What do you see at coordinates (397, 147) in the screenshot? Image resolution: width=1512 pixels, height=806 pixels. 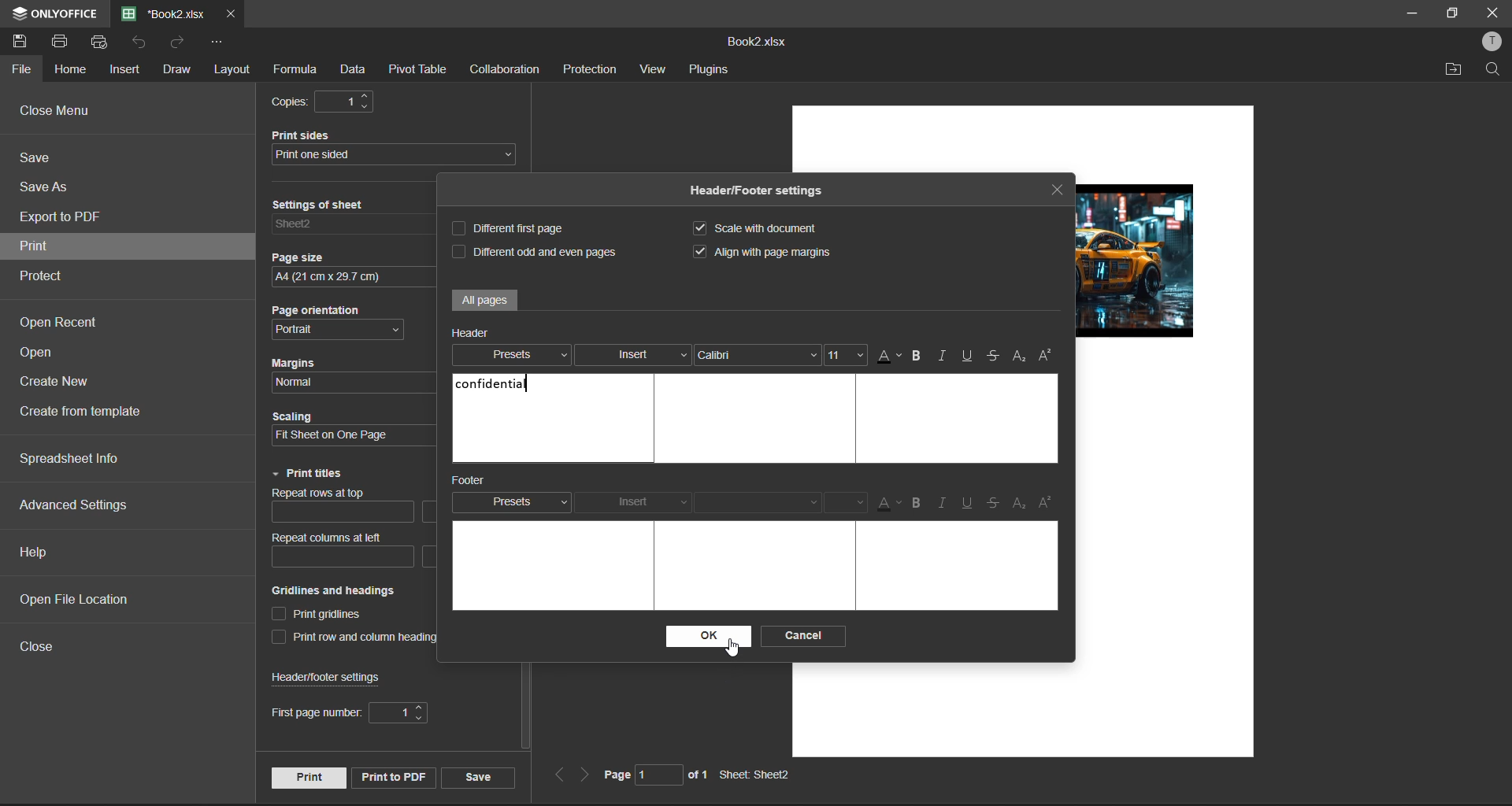 I see `print side` at bounding box center [397, 147].